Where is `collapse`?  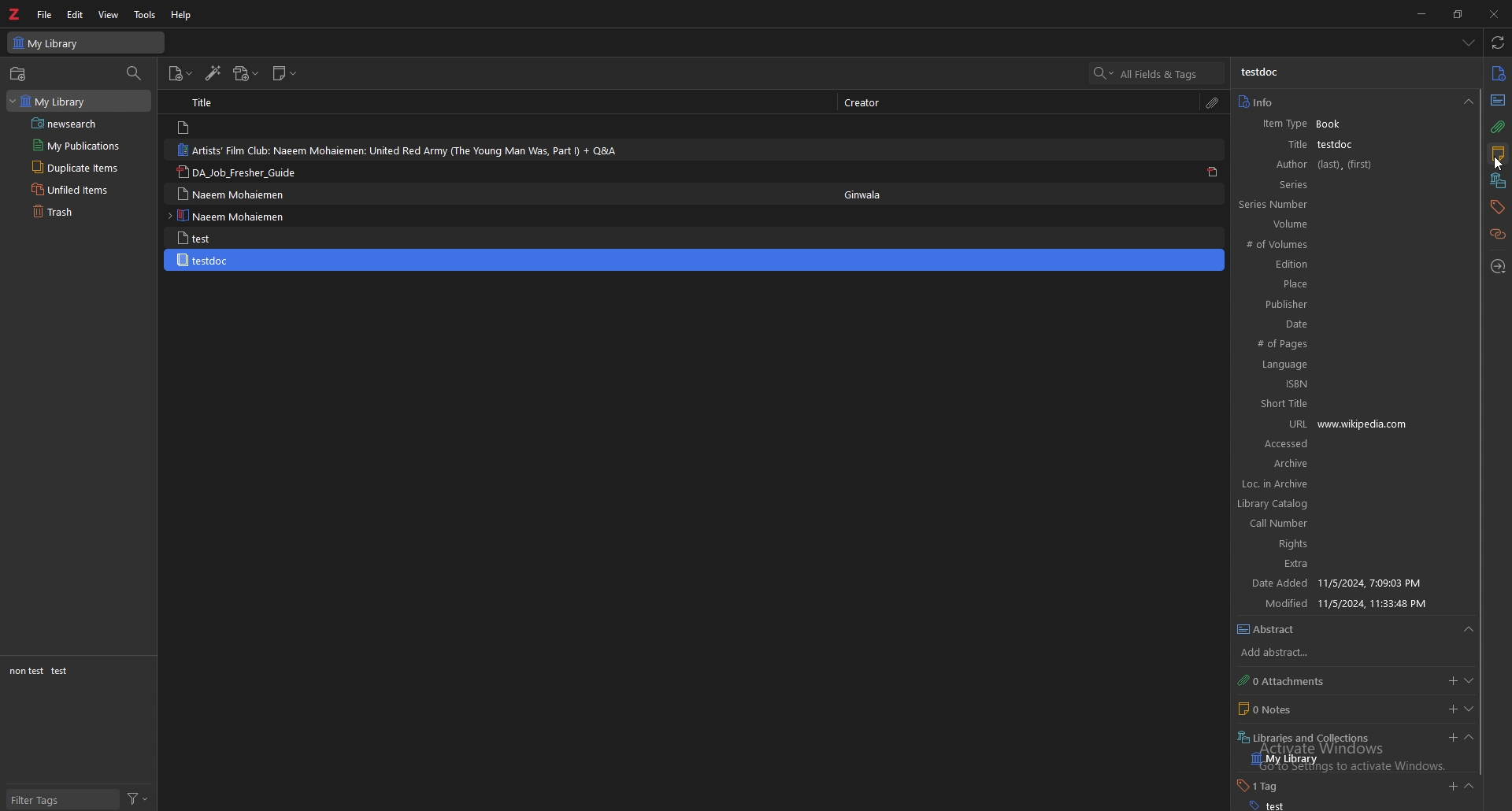 collapse is located at coordinates (1469, 786).